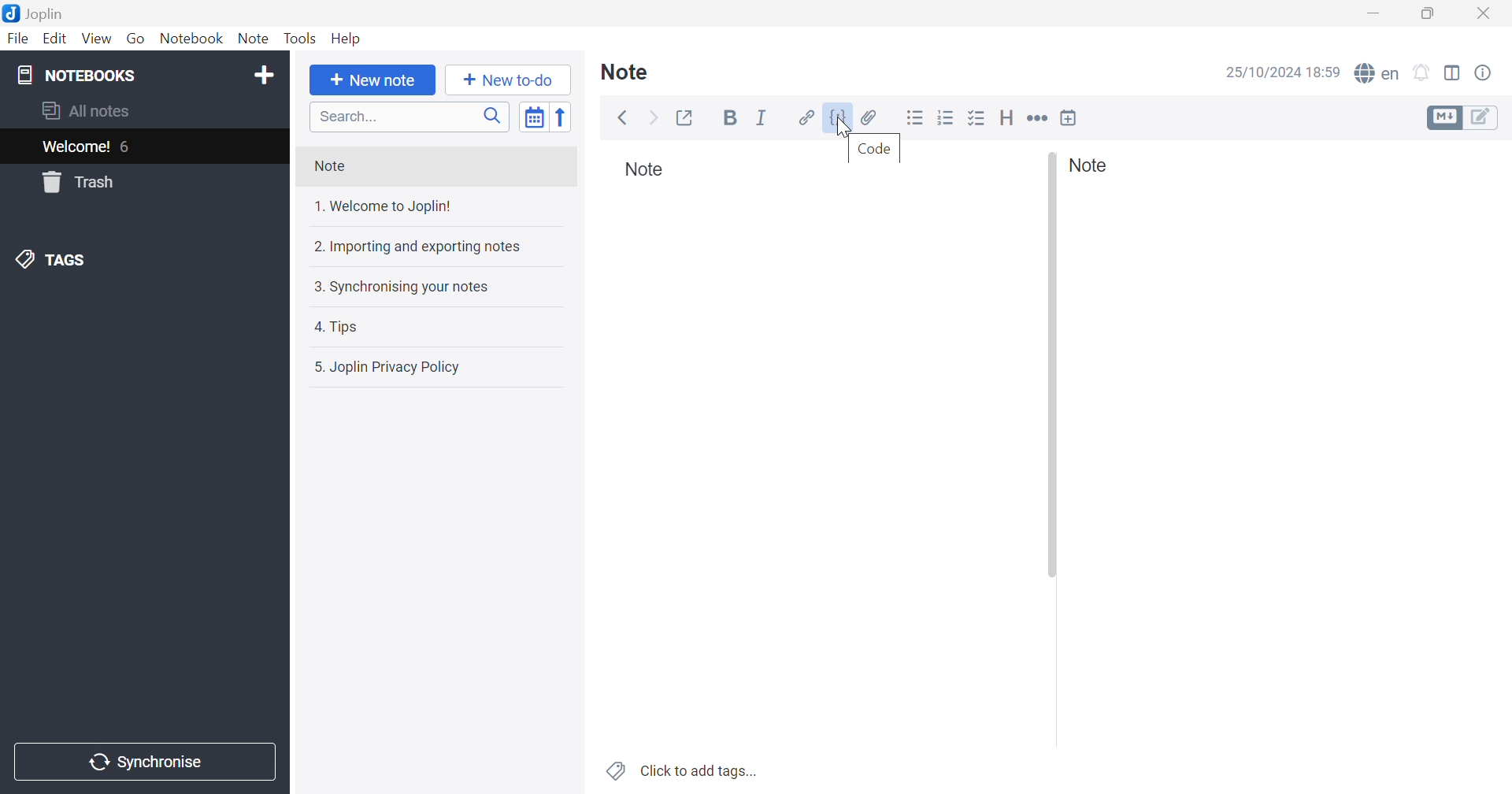 This screenshot has width=1512, height=794. I want to click on Toggle sort order field: updated date -> created date, so click(533, 117).